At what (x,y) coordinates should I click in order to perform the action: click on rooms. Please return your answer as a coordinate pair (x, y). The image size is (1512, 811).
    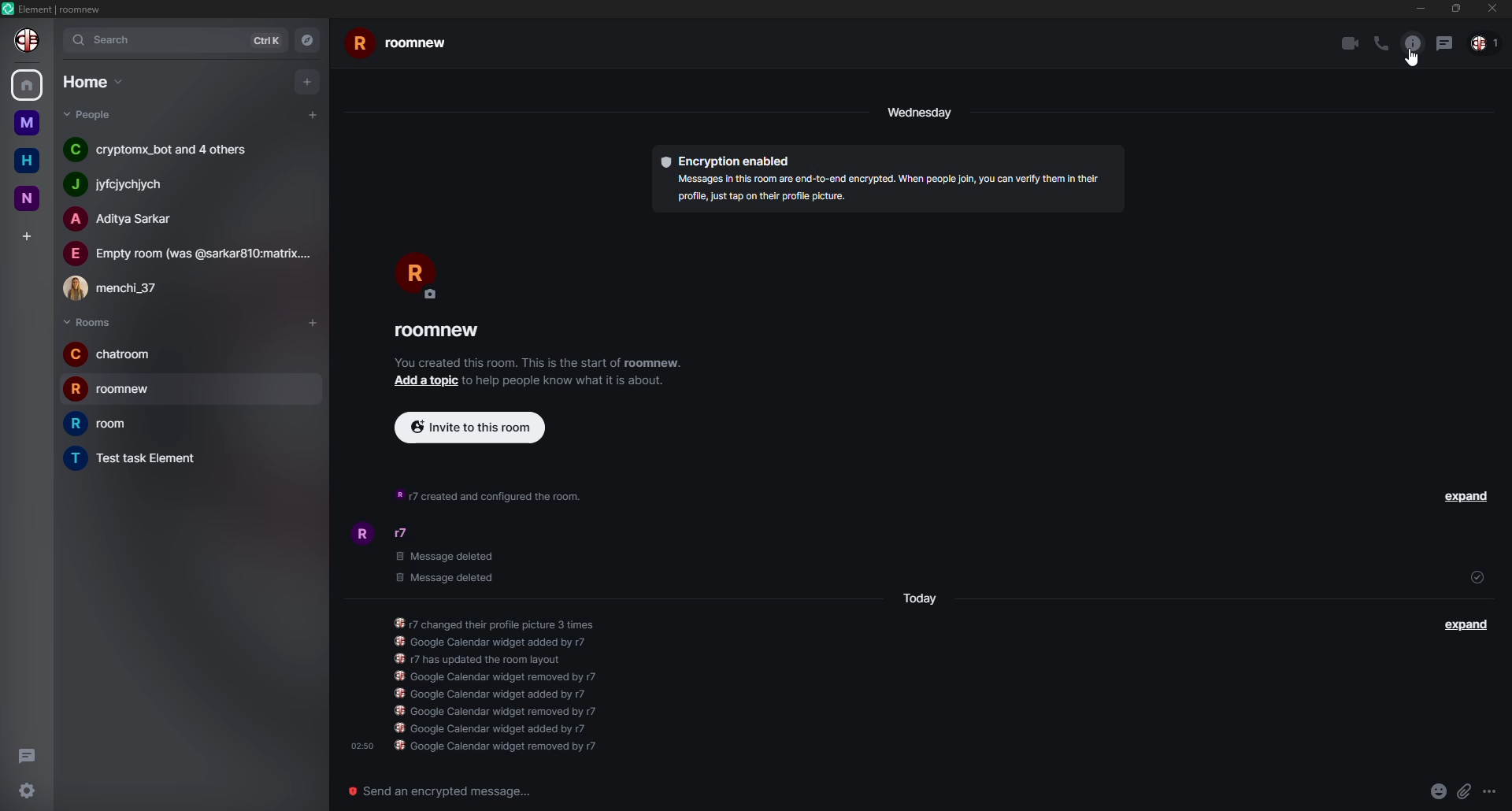
    Looking at the image, I should click on (87, 321).